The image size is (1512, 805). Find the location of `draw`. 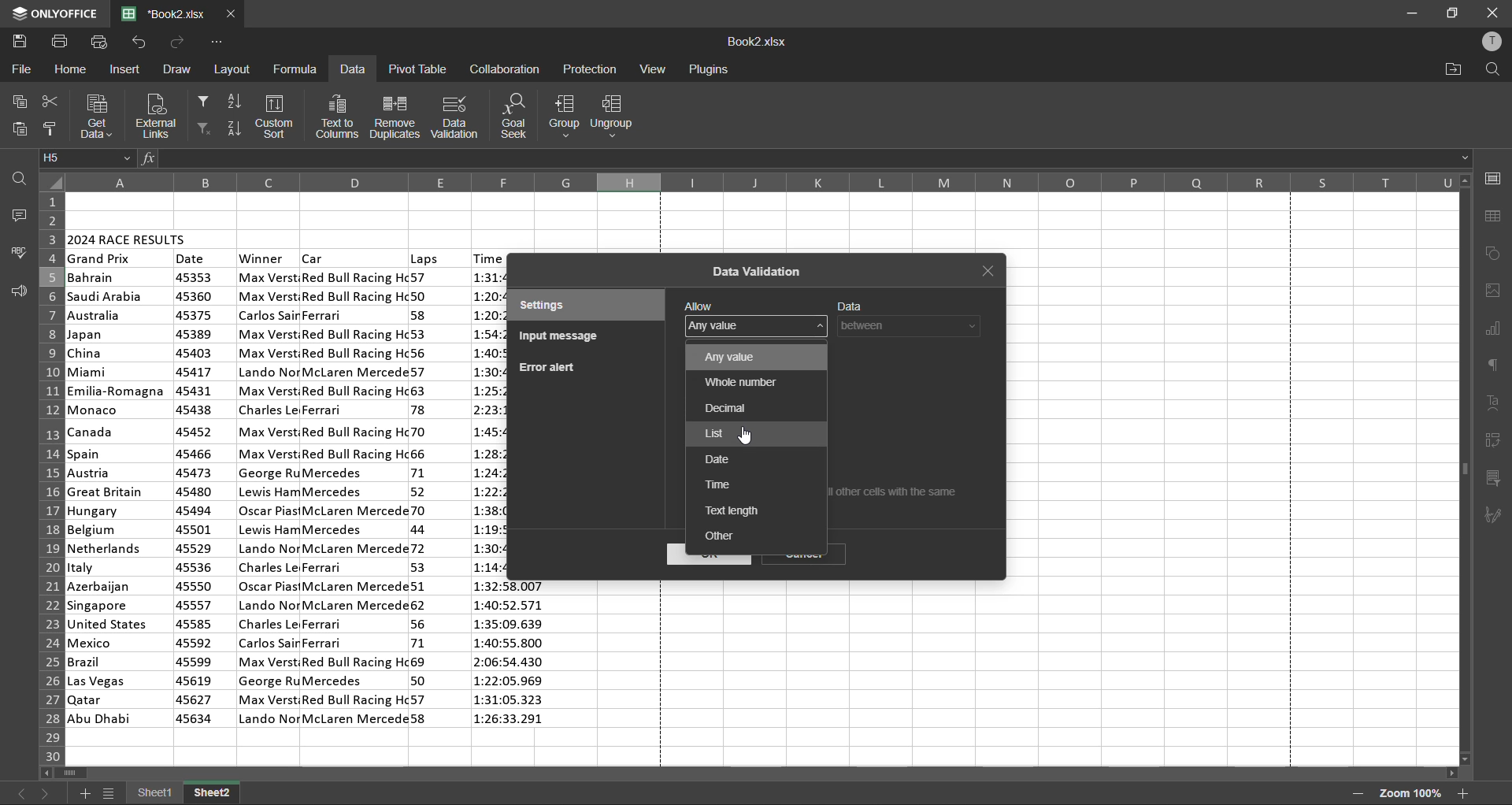

draw is located at coordinates (178, 67).